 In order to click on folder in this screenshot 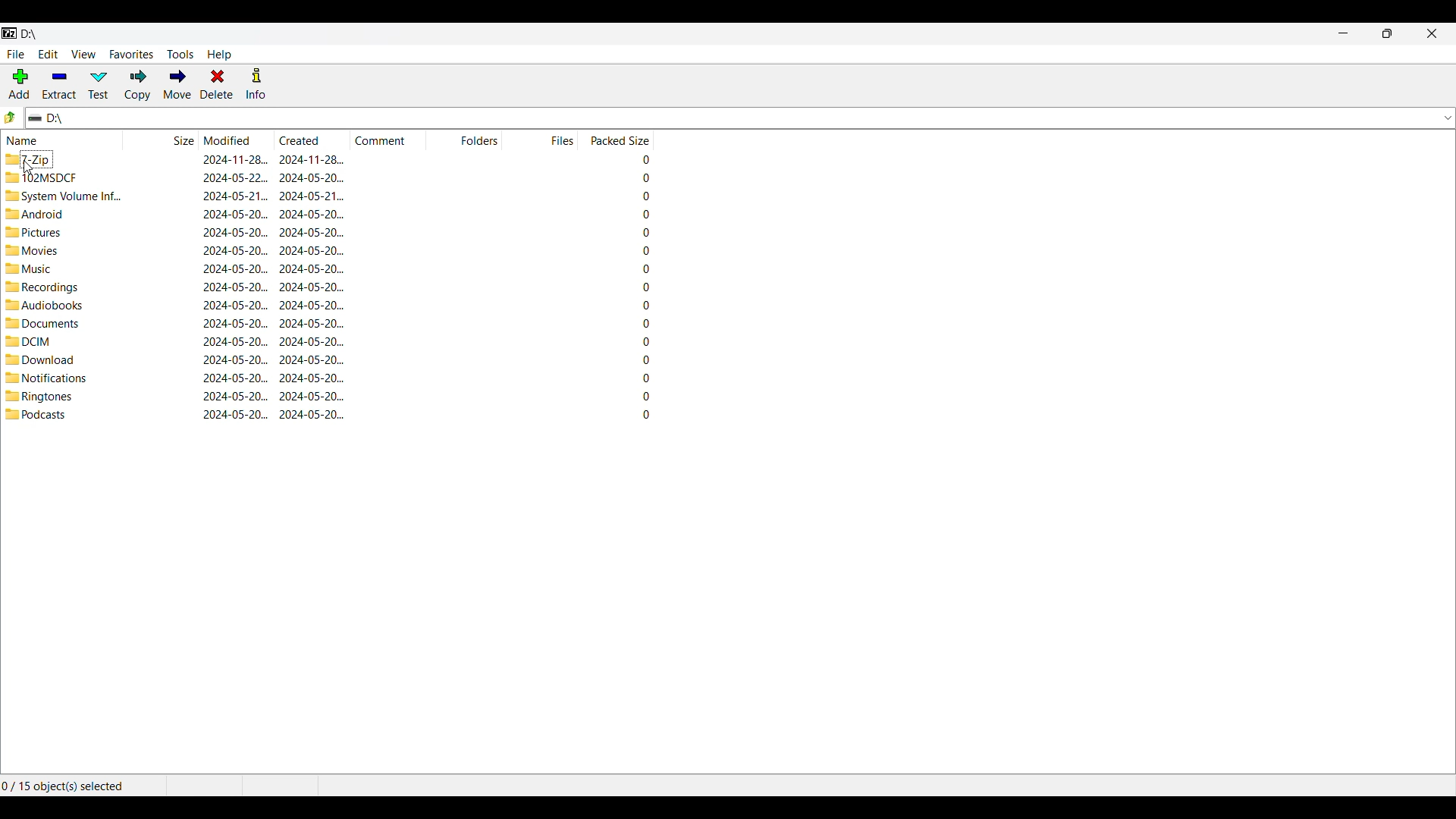, I will do `click(36, 414)`.